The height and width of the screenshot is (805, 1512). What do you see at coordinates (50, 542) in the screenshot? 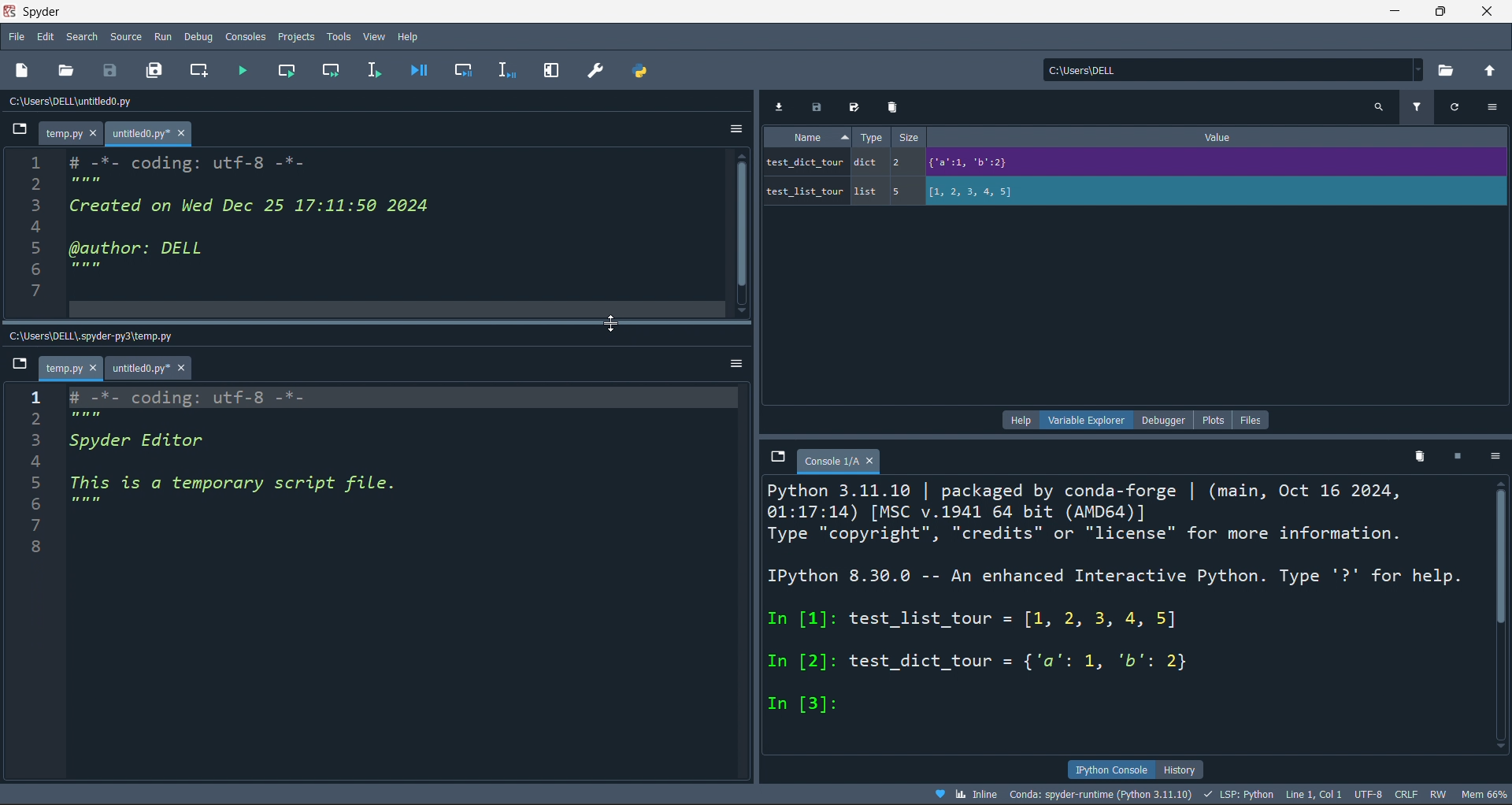
I see `8` at bounding box center [50, 542].